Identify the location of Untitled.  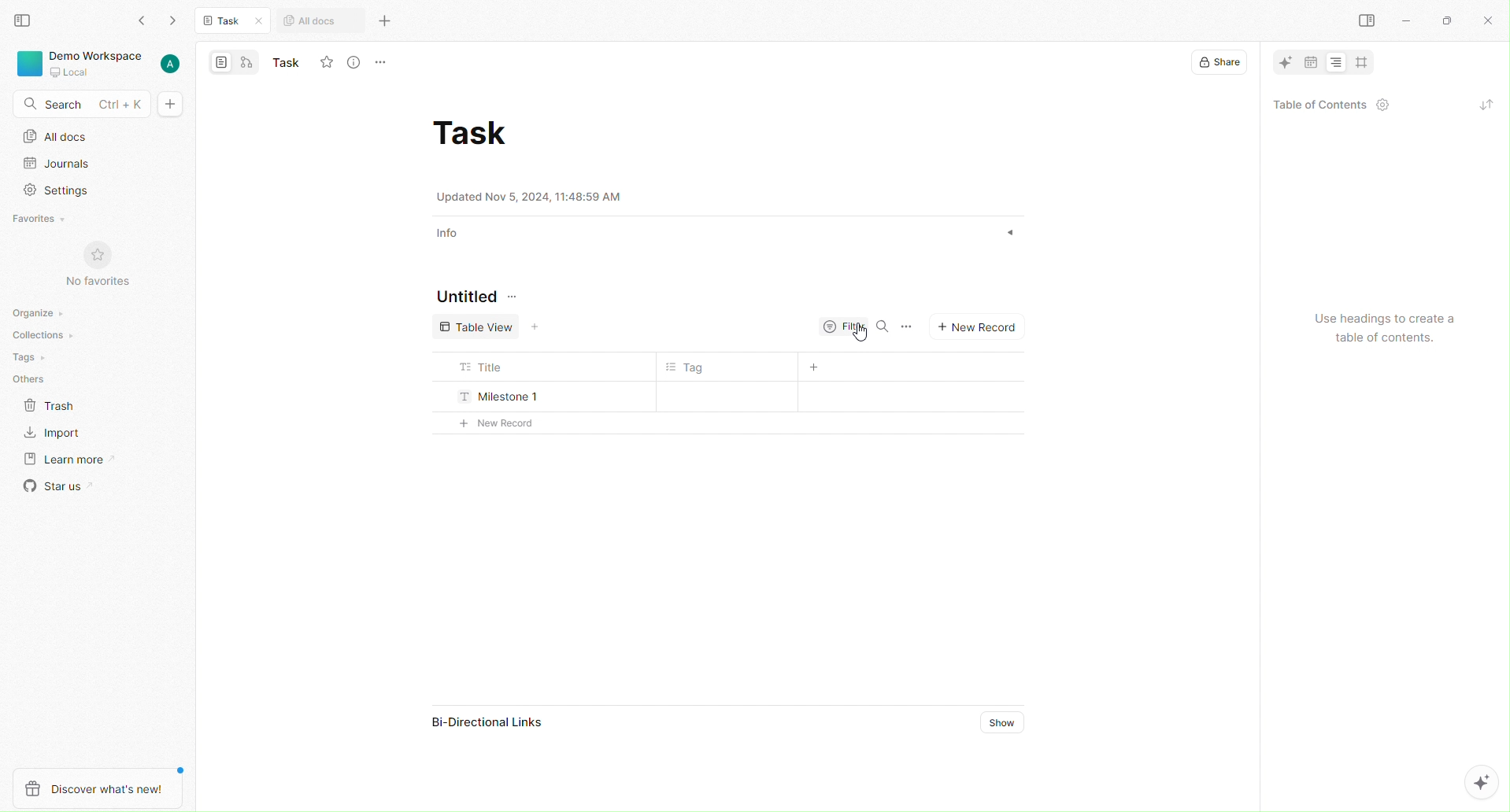
(462, 296).